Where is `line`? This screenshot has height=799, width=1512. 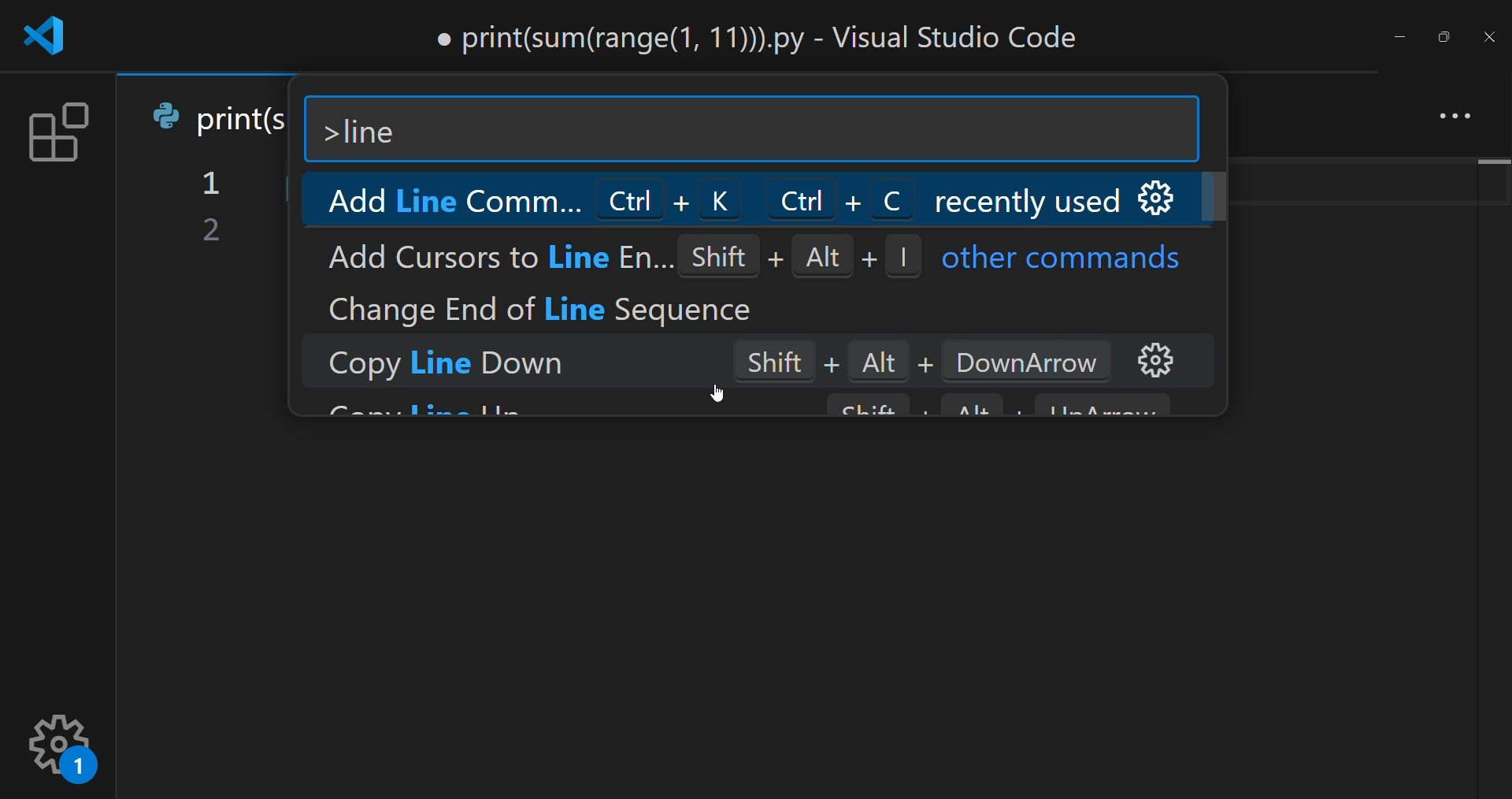
line is located at coordinates (387, 129).